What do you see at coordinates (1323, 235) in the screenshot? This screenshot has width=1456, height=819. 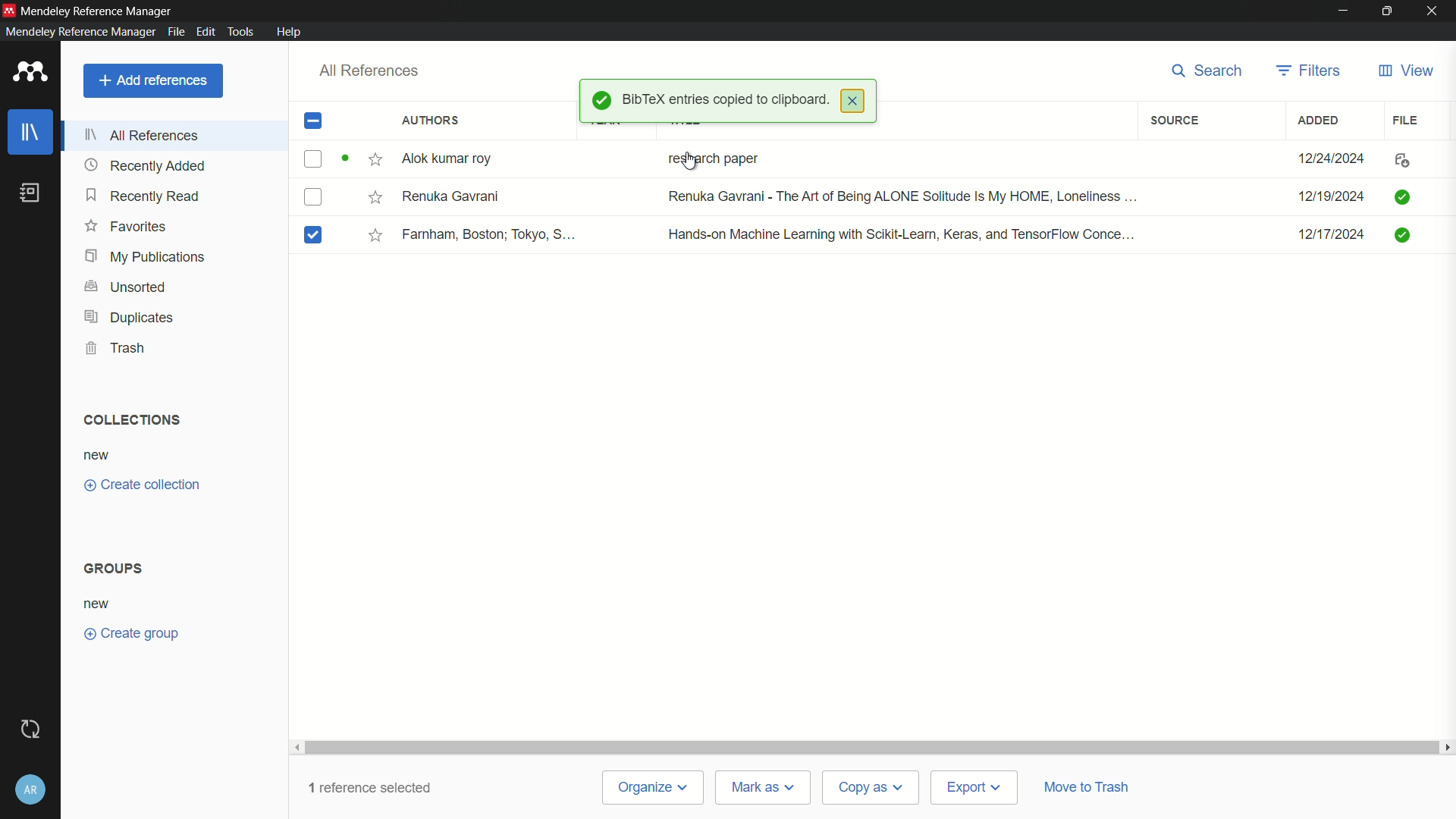 I see `12/17/2024` at bounding box center [1323, 235].